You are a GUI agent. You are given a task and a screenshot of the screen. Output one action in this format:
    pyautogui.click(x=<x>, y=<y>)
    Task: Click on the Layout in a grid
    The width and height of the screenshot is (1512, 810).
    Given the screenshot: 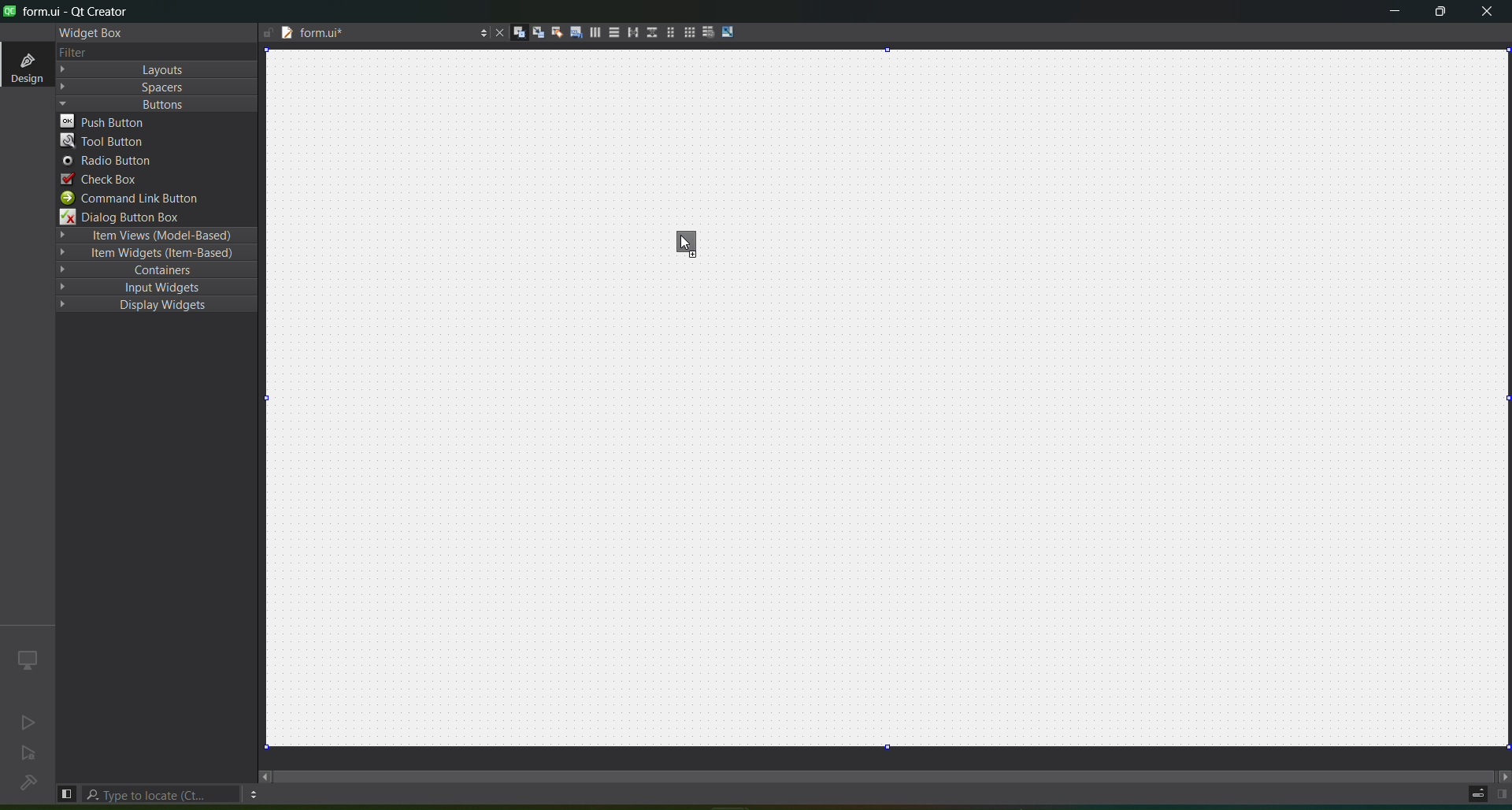 What is the action you would take?
    pyautogui.click(x=688, y=32)
    